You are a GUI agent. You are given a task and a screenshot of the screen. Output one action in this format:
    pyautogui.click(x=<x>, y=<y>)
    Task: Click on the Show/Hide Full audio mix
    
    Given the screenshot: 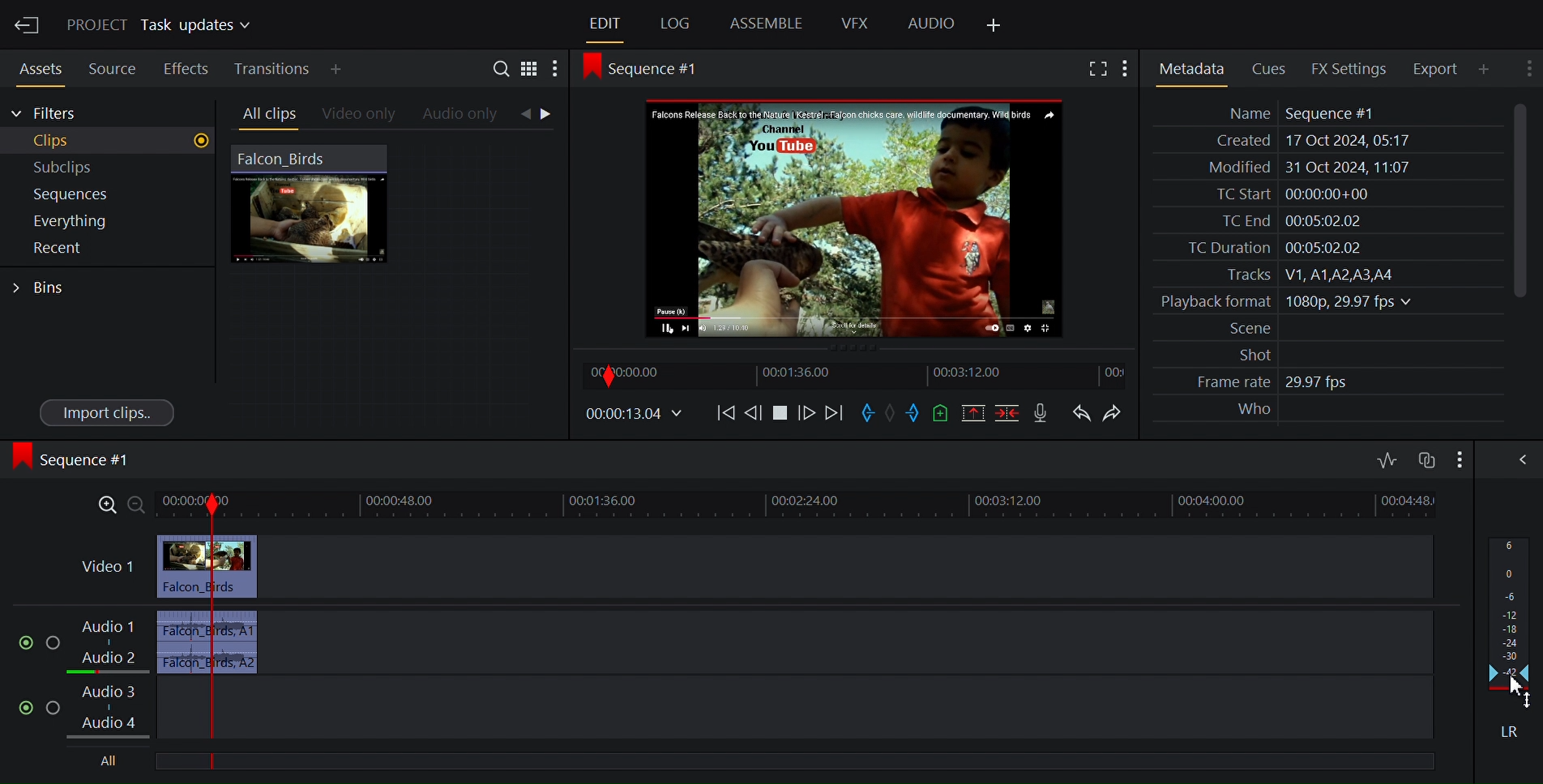 What is the action you would take?
    pyautogui.click(x=1515, y=458)
    